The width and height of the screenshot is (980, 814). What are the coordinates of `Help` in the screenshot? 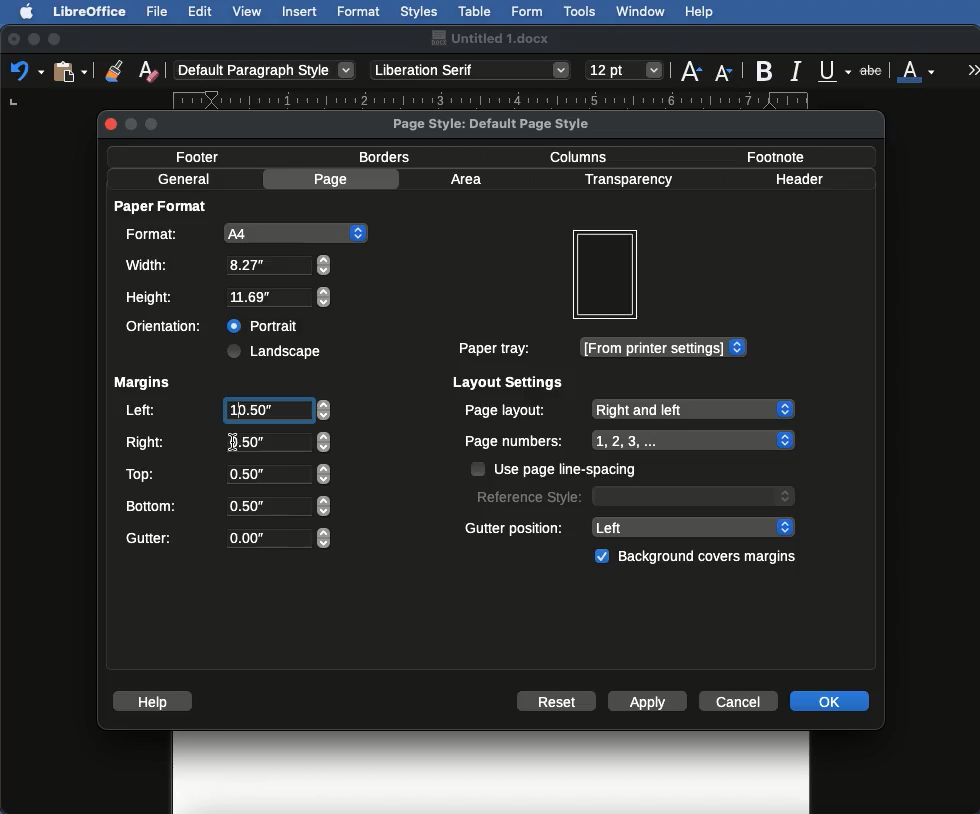 It's located at (156, 701).